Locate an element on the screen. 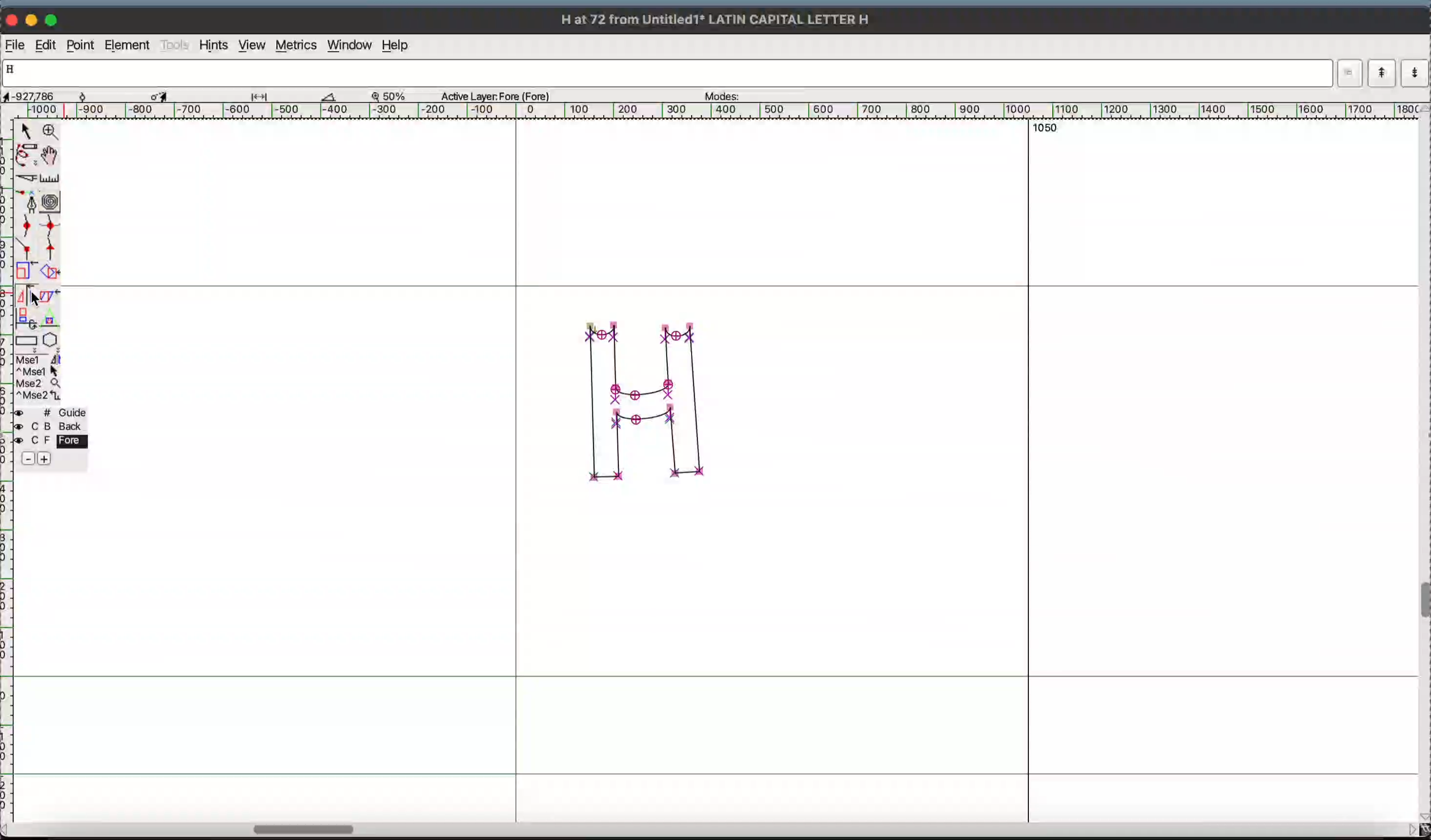 The height and width of the screenshot is (840, 1431). polygon/star is located at coordinates (51, 340).